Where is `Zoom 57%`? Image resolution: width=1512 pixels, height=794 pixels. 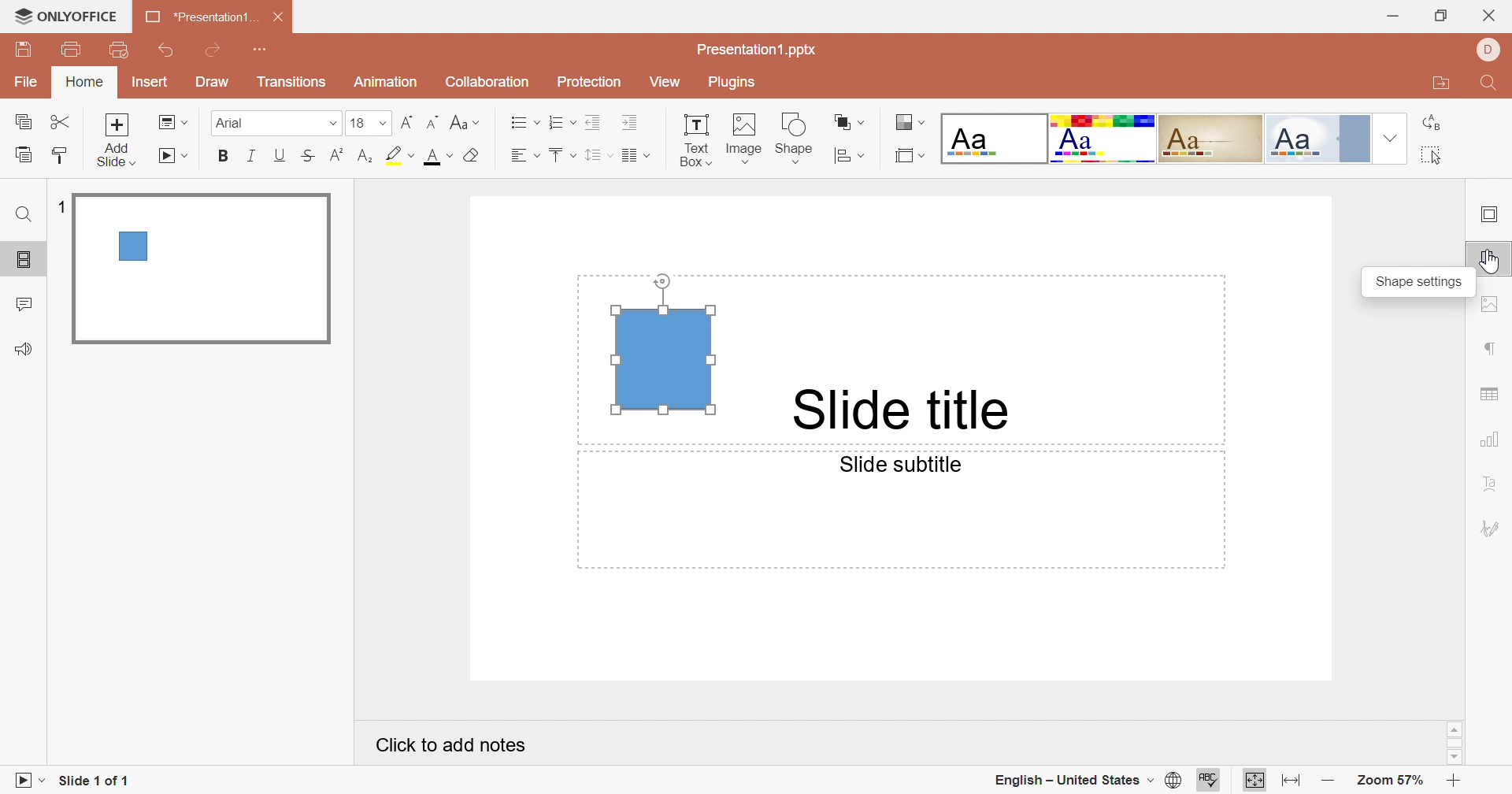 Zoom 57% is located at coordinates (1392, 781).